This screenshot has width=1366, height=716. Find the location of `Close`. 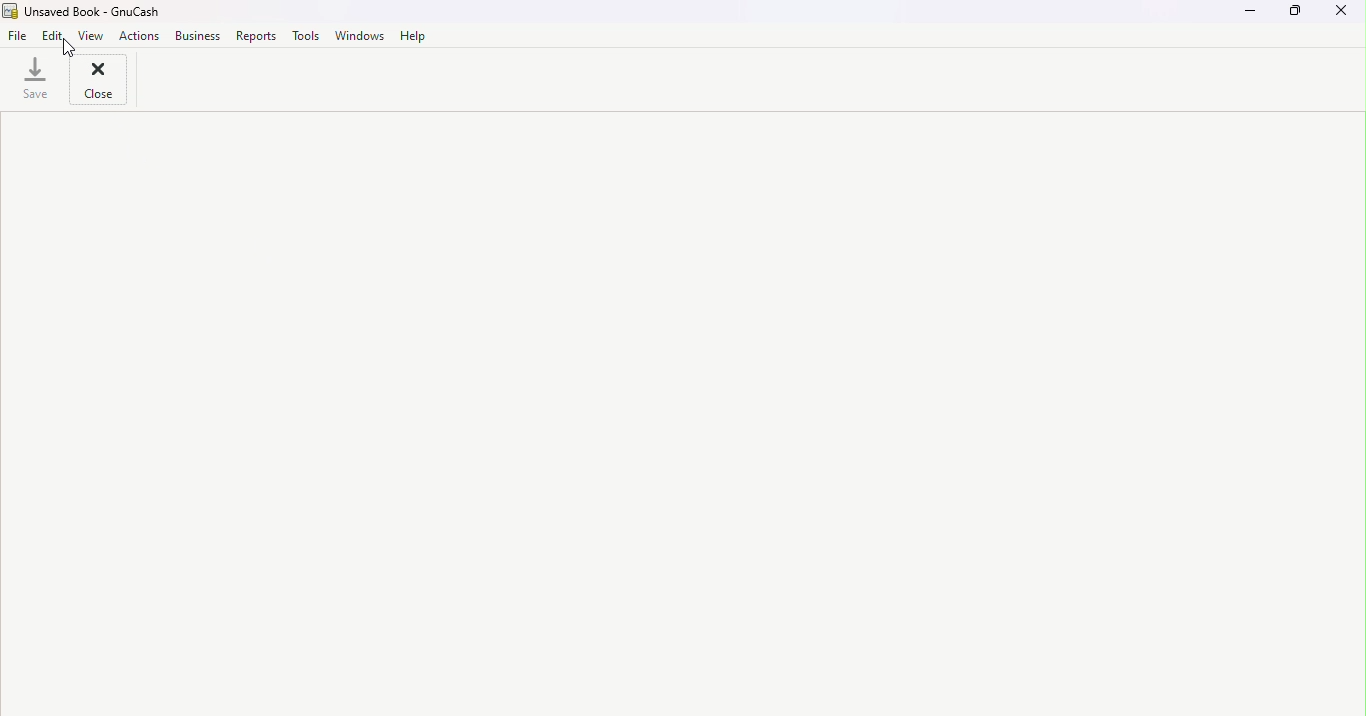

Close is located at coordinates (1344, 14).